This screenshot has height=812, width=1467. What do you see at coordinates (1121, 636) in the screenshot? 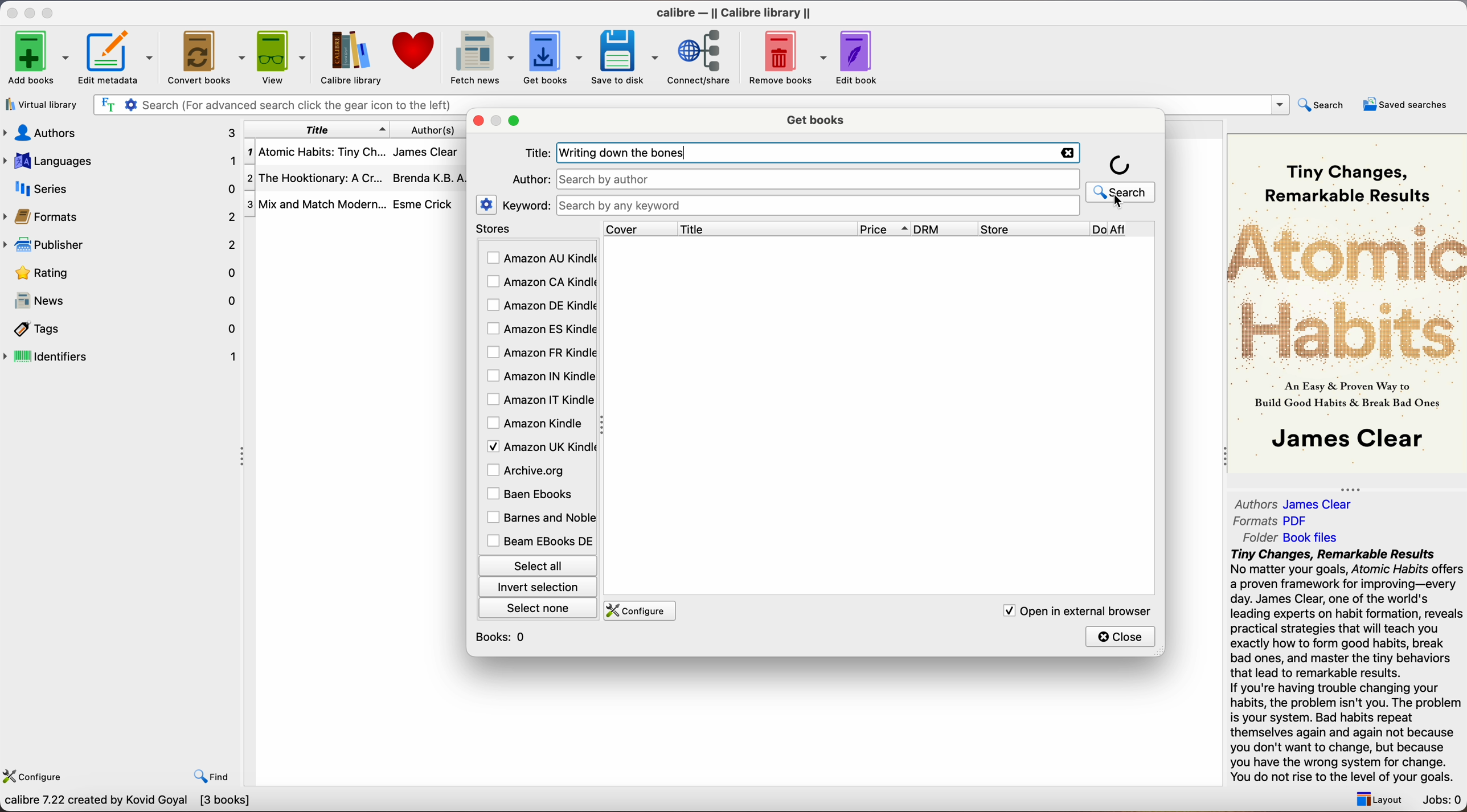
I see `close` at bounding box center [1121, 636].